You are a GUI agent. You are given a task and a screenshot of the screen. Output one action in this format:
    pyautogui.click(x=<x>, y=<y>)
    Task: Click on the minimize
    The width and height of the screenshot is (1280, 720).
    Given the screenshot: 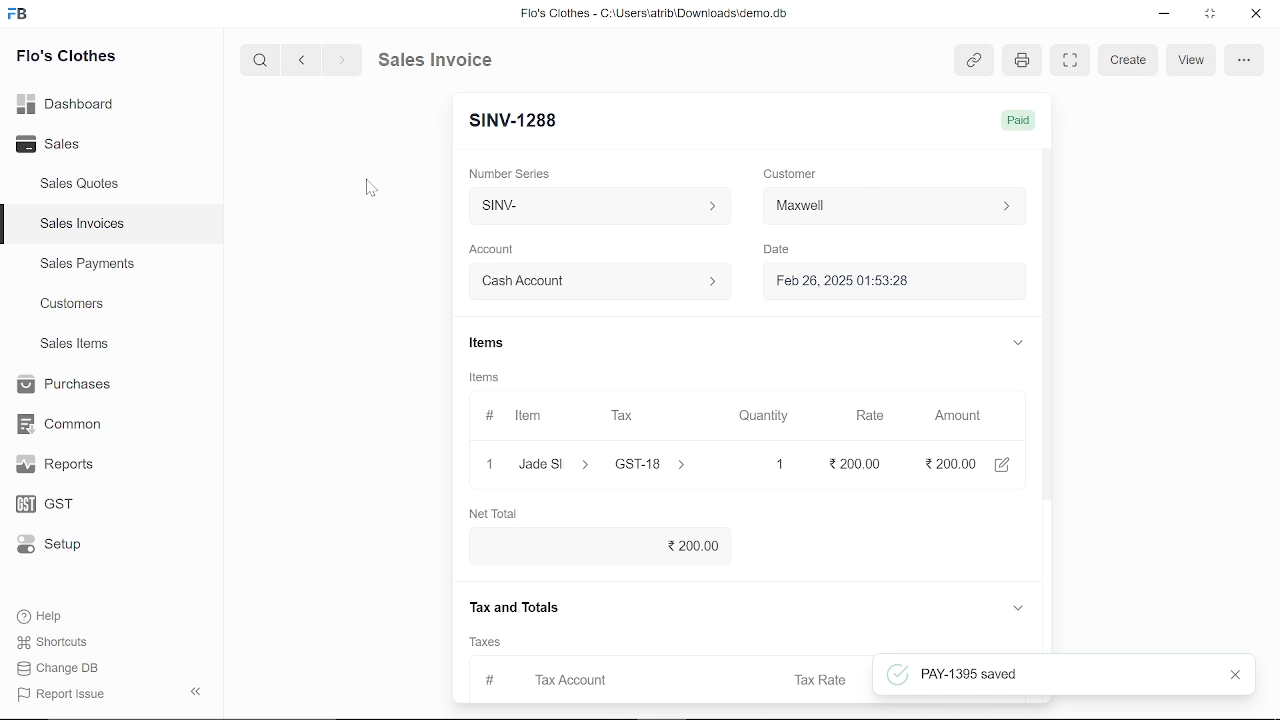 What is the action you would take?
    pyautogui.click(x=1166, y=16)
    